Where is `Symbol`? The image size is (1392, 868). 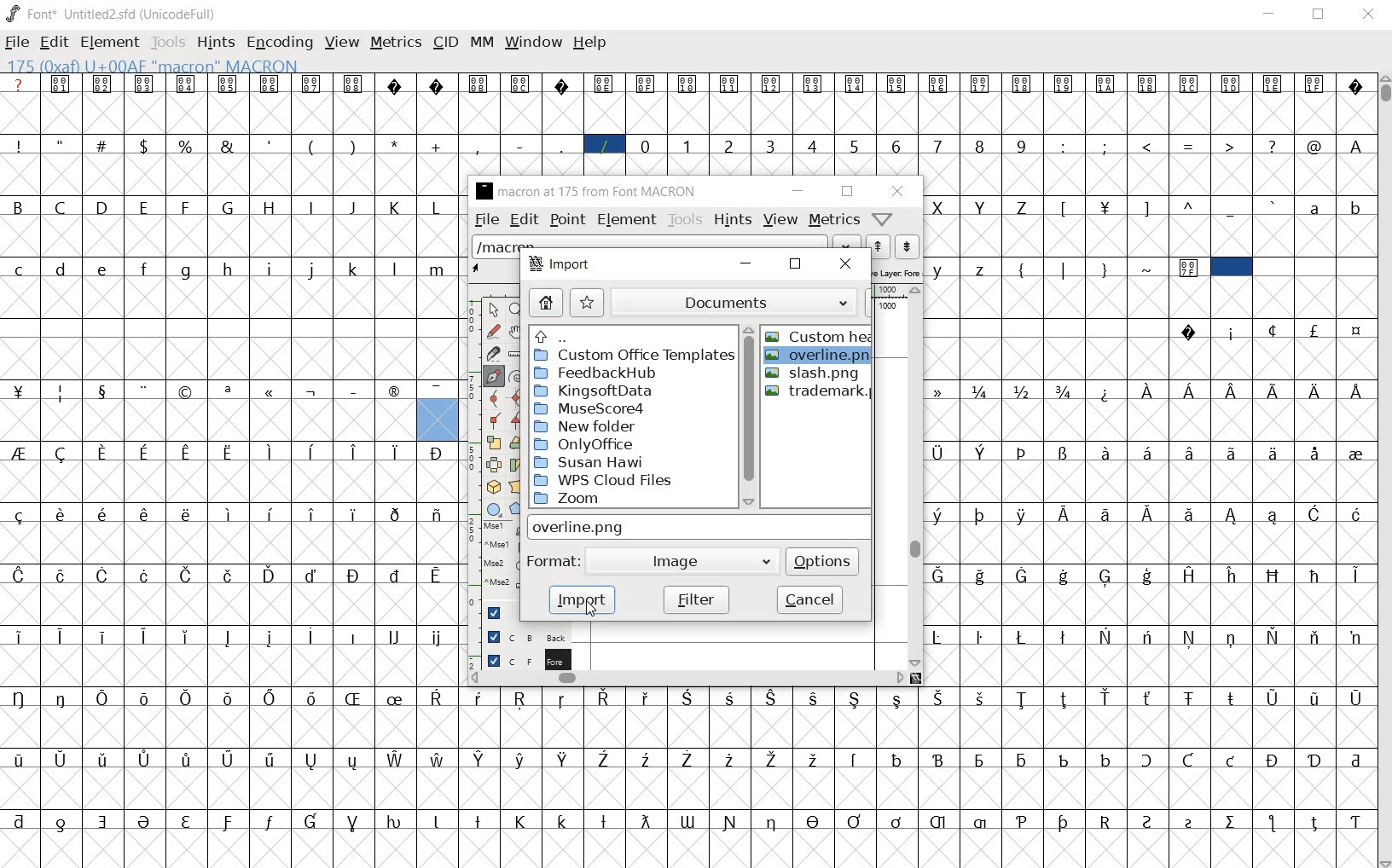 Symbol is located at coordinates (983, 391).